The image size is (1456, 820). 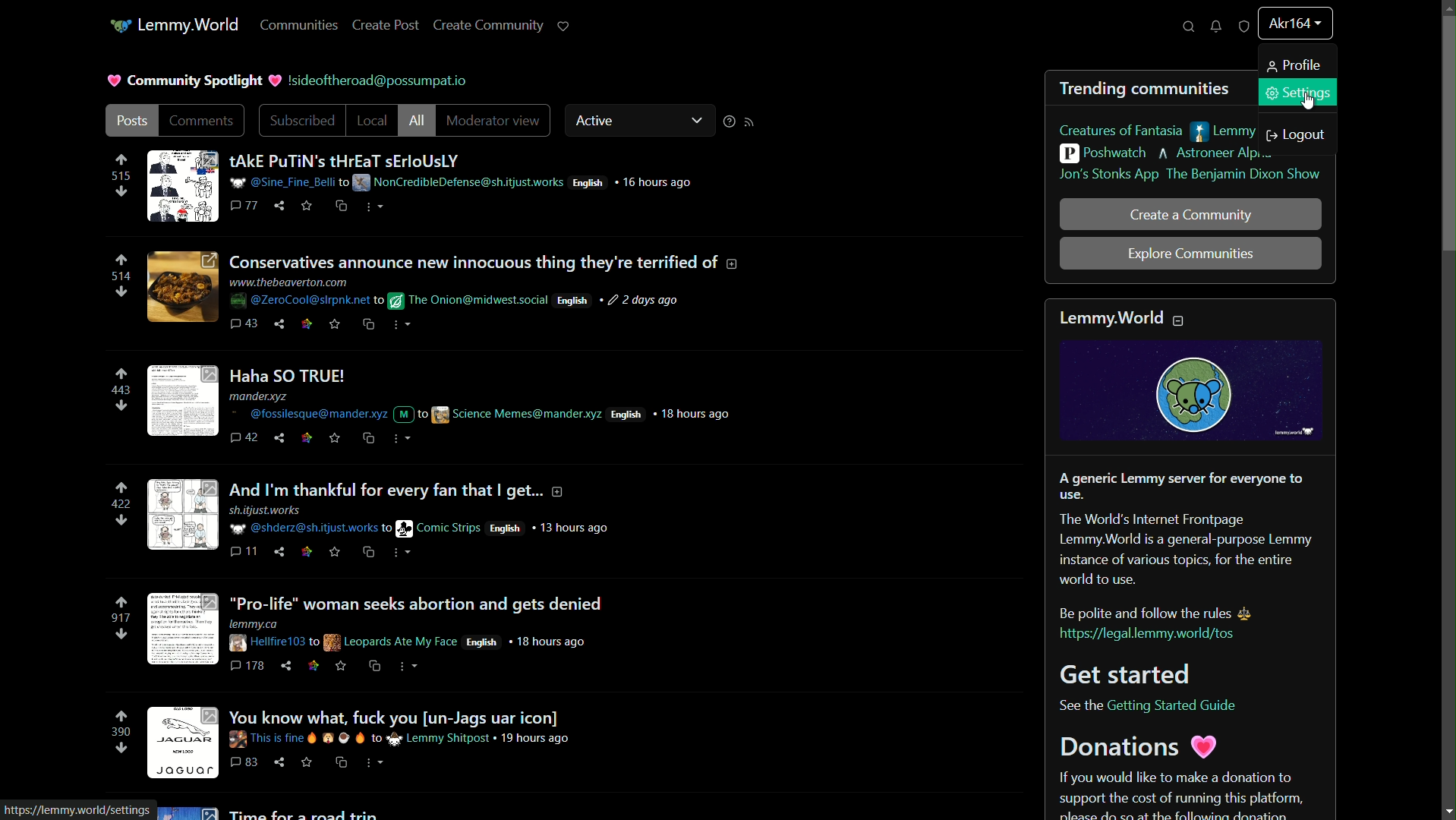 What do you see at coordinates (299, 27) in the screenshot?
I see `communities` at bounding box center [299, 27].